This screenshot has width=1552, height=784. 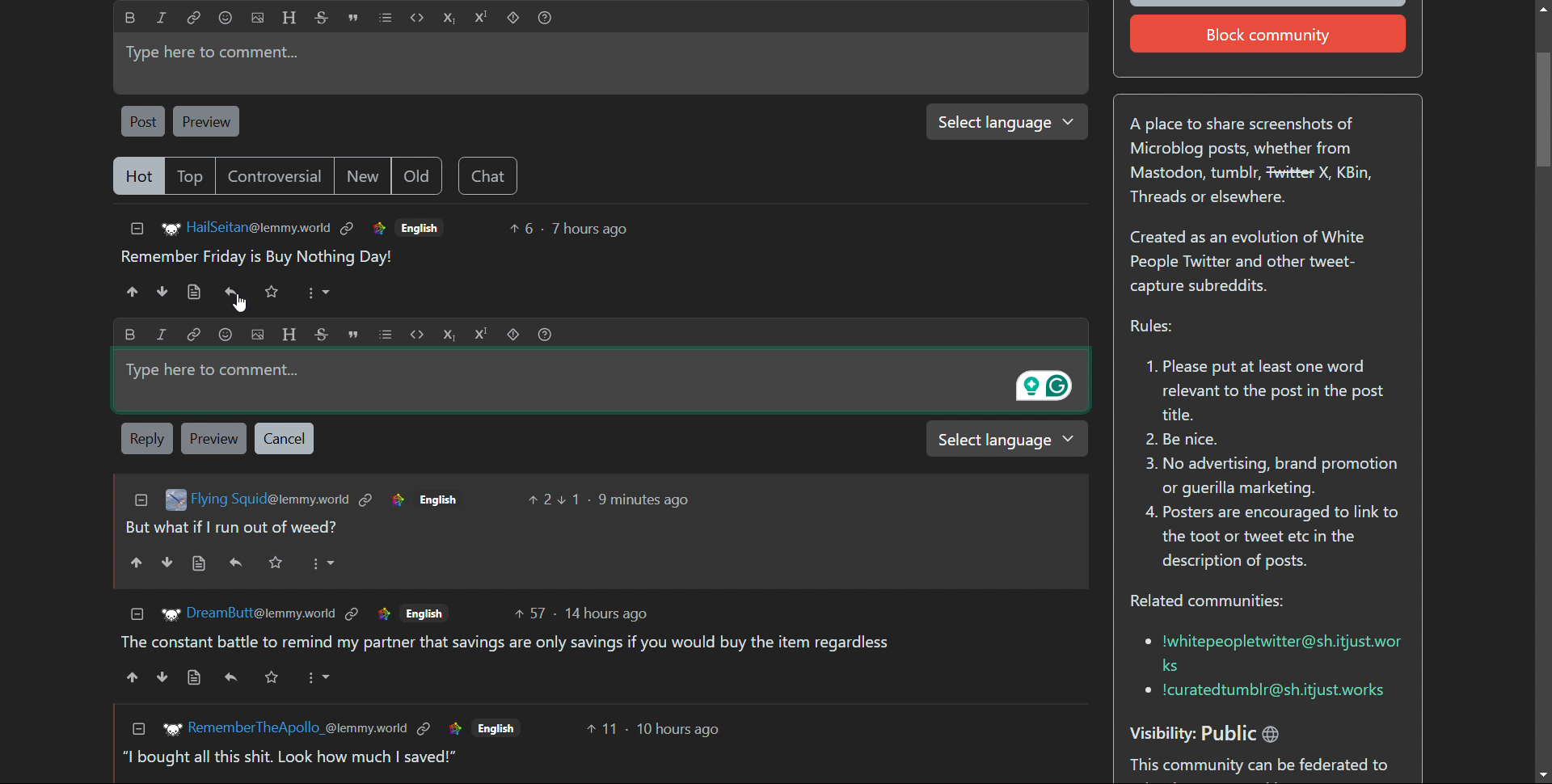 I want to click on username, so click(x=259, y=227).